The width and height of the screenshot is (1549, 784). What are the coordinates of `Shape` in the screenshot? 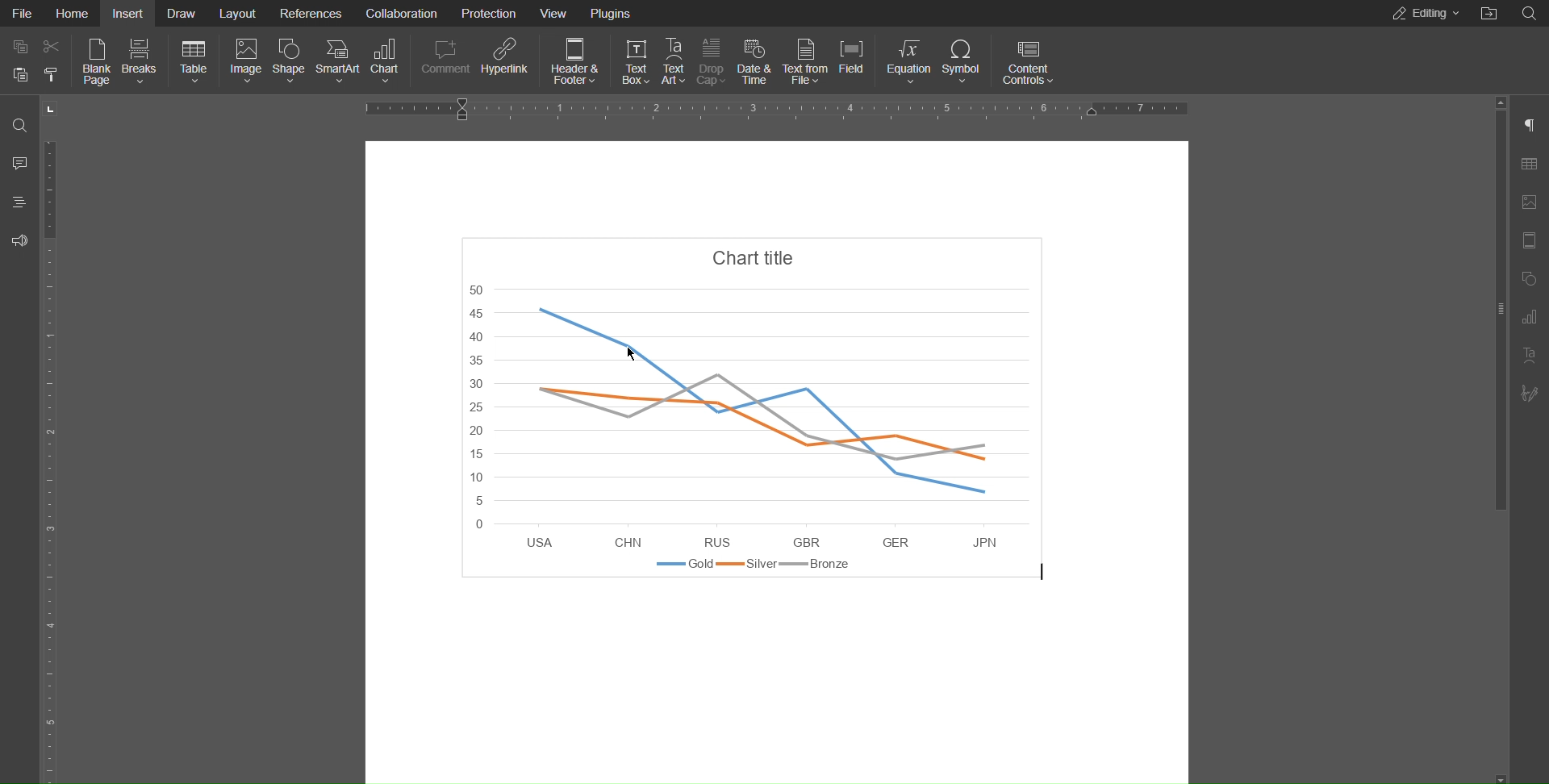 It's located at (291, 64).